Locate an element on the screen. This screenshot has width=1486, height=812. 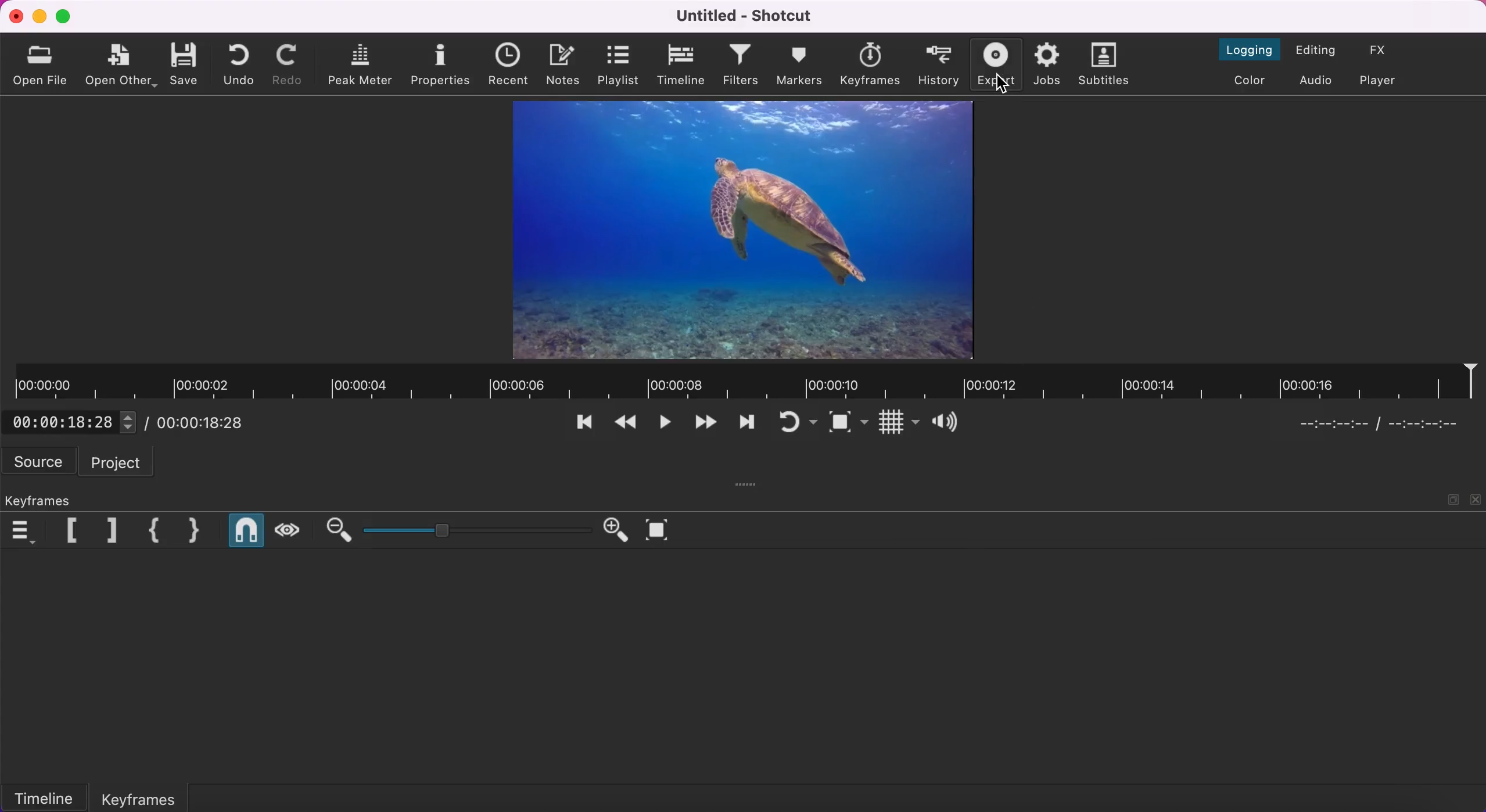
switch to the player only layout is located at coordinates (1391, 82).